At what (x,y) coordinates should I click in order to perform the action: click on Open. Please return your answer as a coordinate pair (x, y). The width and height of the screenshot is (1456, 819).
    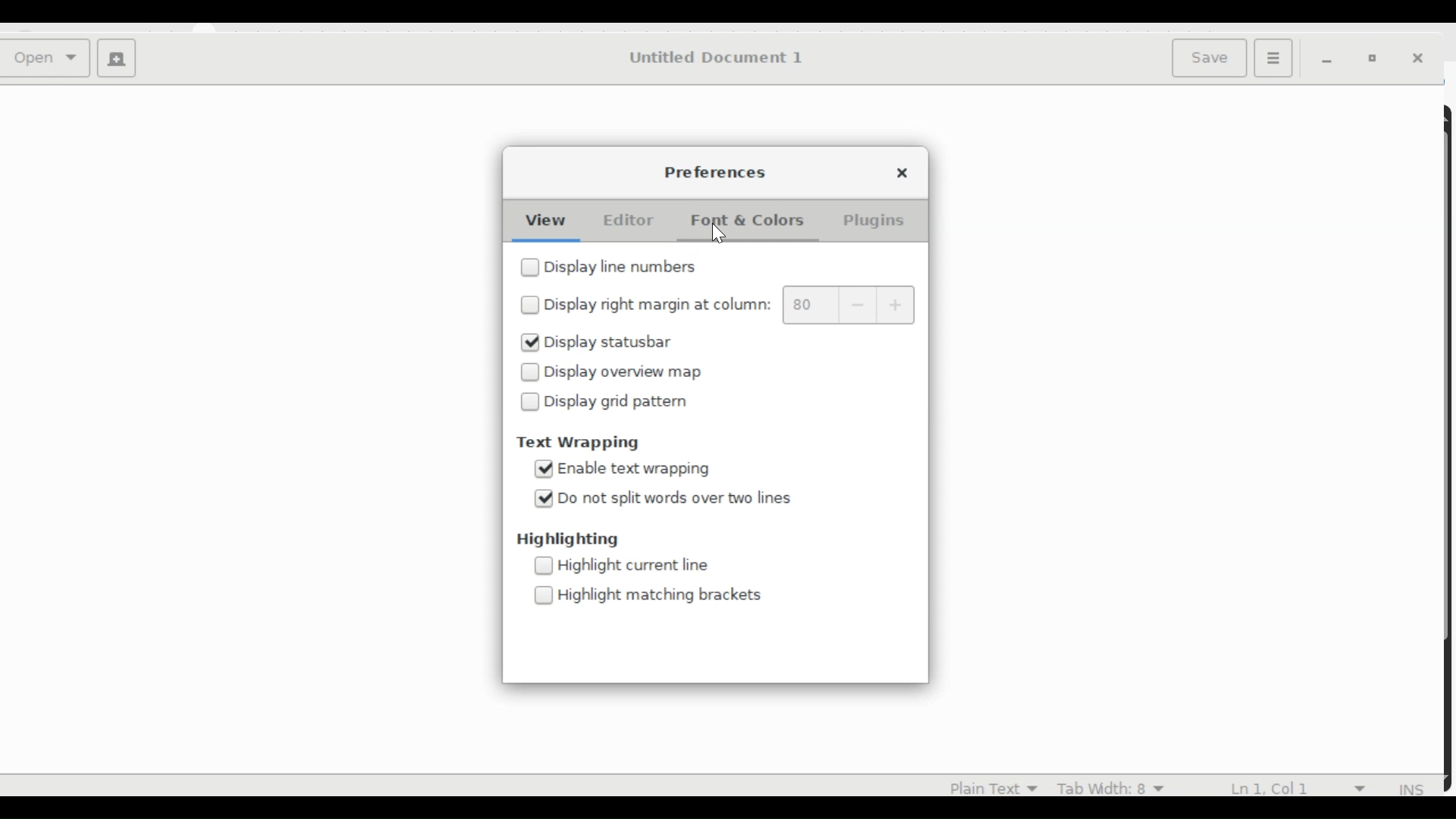
    Looking at the image, I should click on (49, 59).